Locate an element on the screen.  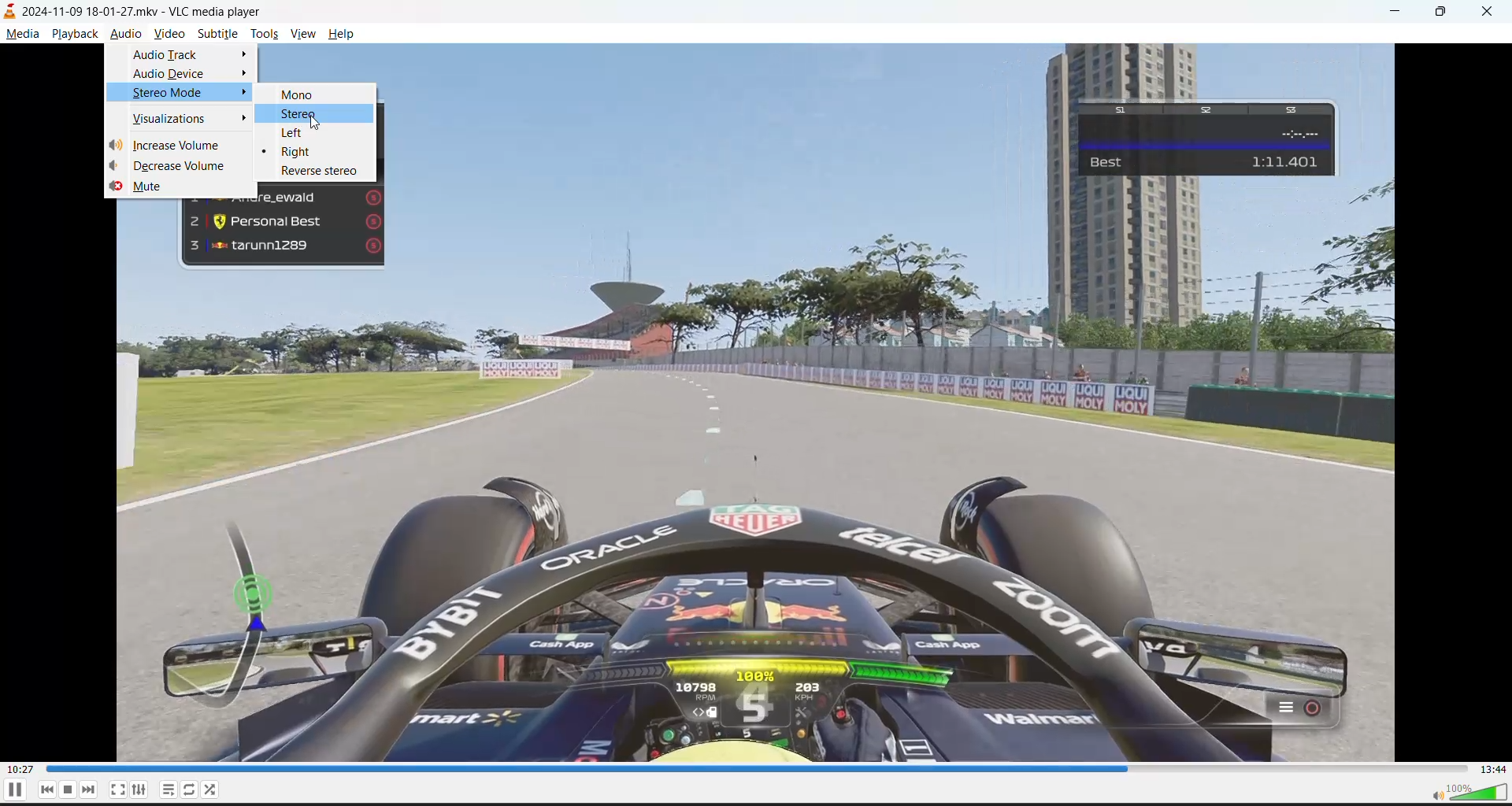
previous is located at coordinates (43, 790).